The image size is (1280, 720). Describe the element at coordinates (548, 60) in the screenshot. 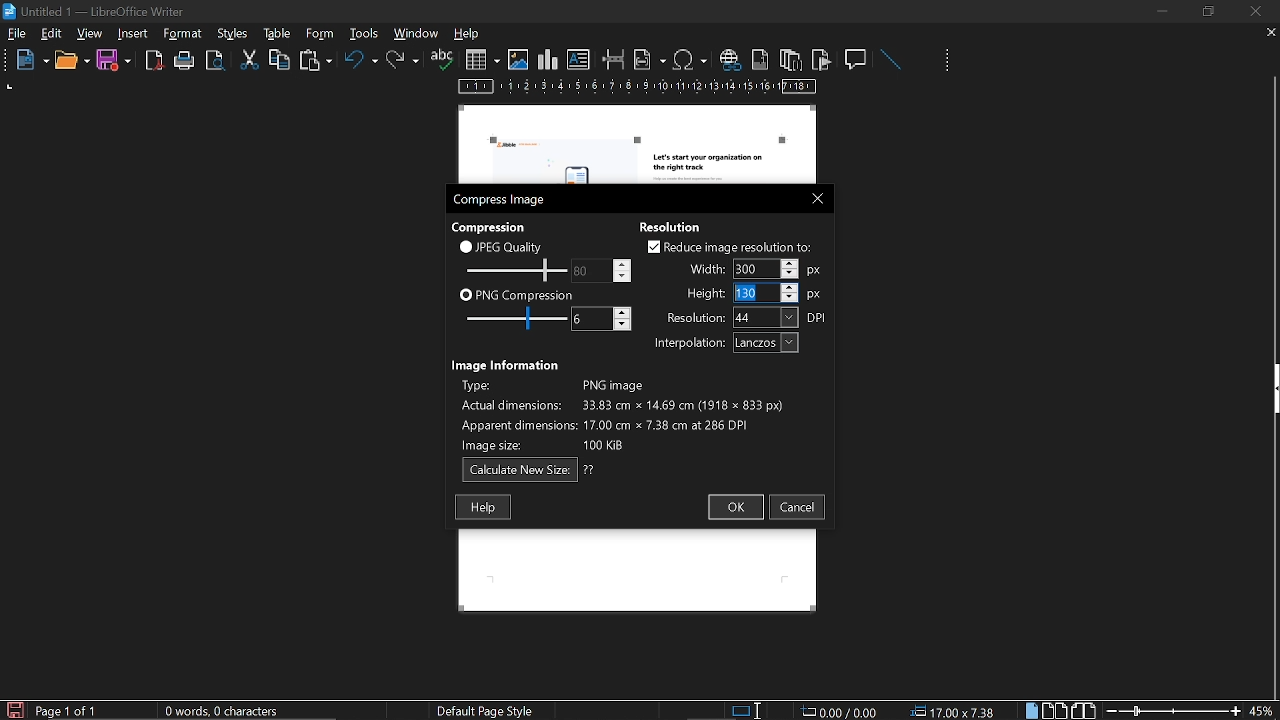

I see `insert chart` at that location.